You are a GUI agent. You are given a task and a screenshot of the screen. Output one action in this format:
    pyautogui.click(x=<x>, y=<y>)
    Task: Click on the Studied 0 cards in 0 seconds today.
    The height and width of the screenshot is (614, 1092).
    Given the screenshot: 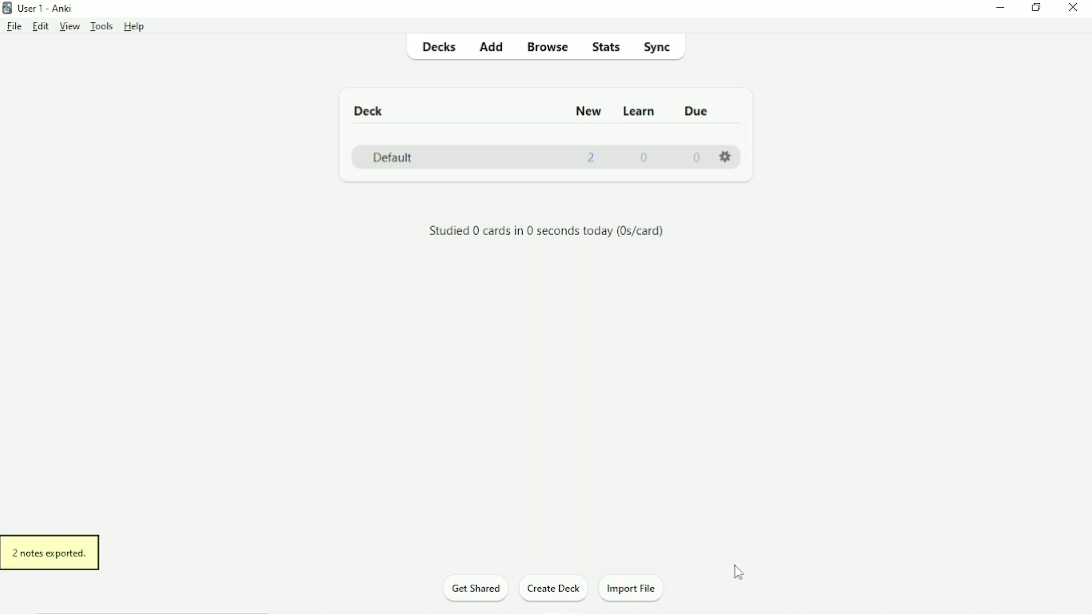 What is the action you would take?
    pyautogui.click(x=547, y=230)
    